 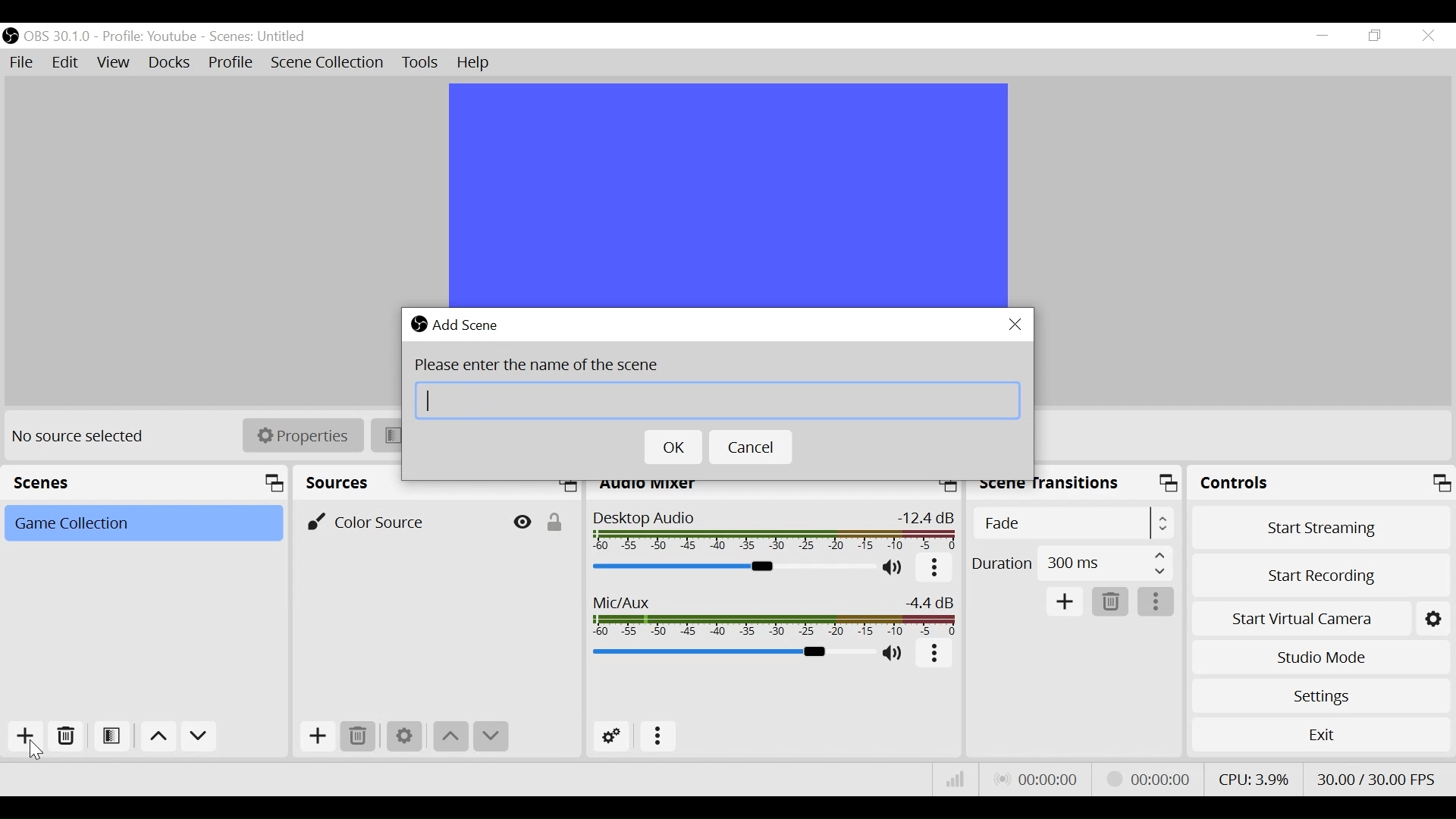 What do you see at coordinates (1072, 563) in the screenshot?
I see `(un)select Duration` at bounding box center [1072, 563].